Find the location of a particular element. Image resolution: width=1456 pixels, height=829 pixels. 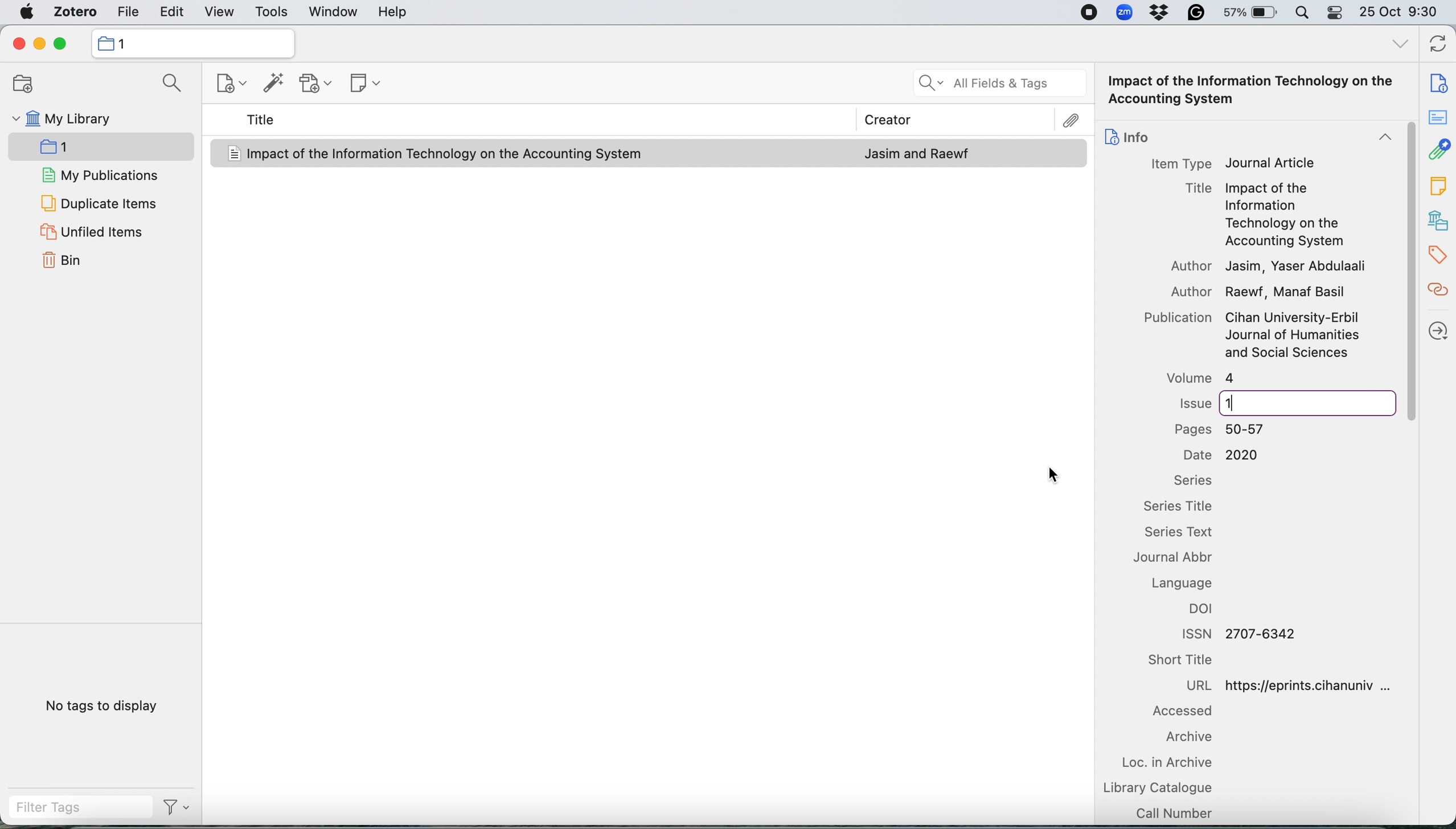

creator is located at coordinates (1052, 121).